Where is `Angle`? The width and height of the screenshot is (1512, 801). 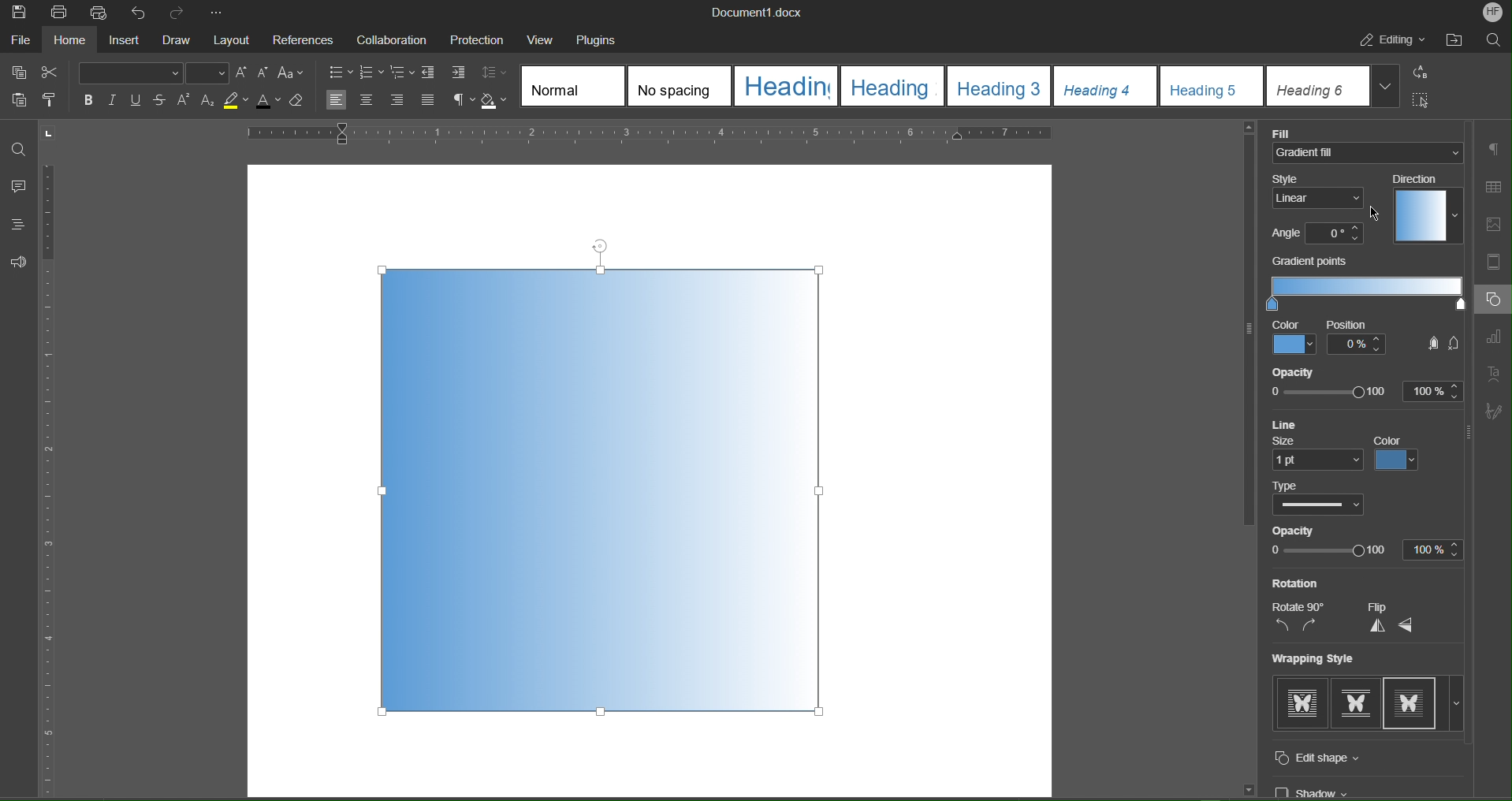
Angle is located at coordinates (1283, 233).